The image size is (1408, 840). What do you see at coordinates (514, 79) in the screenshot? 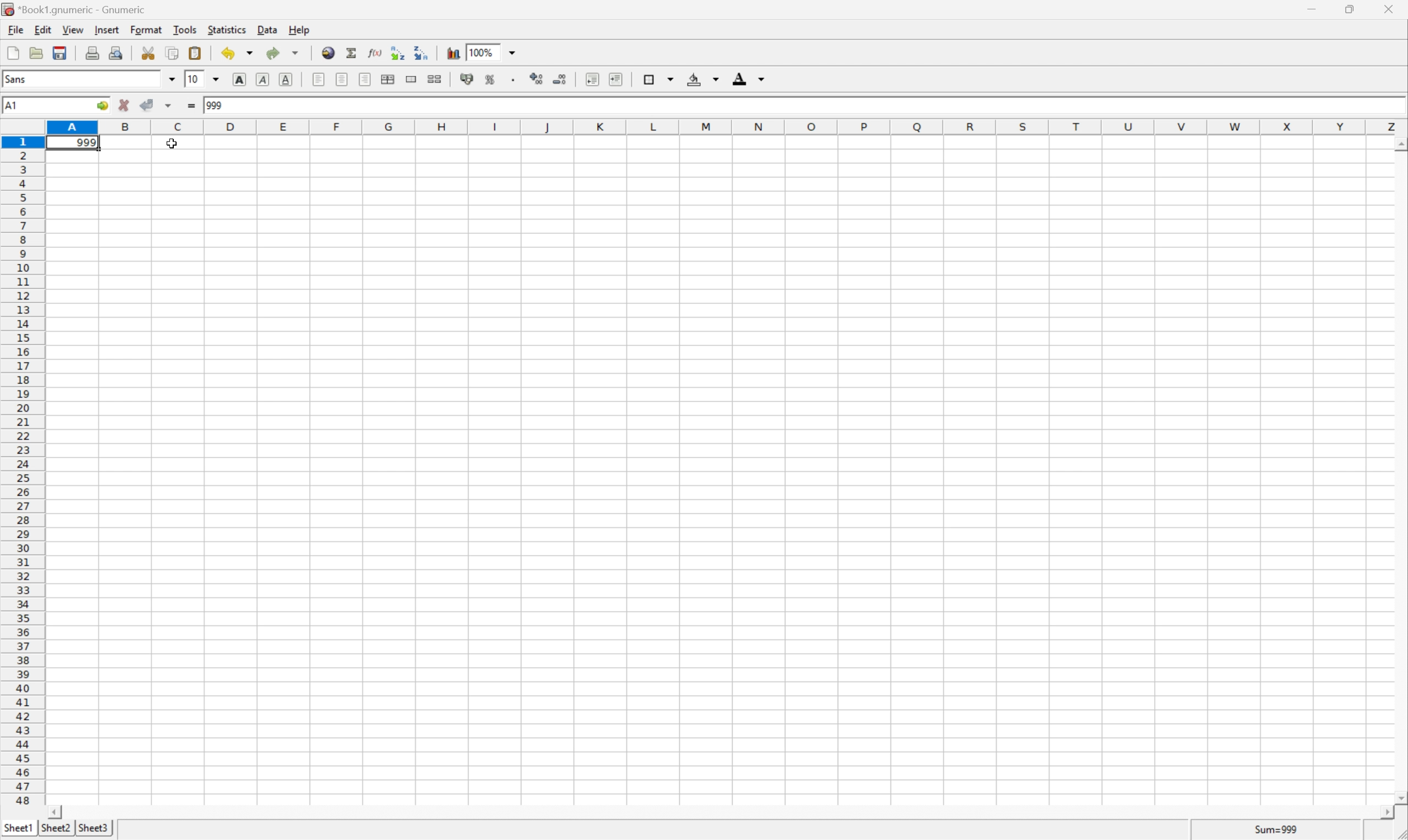
I see `Set the format of the selected cells to include a thousands separator` at bounding box center [514, 79].